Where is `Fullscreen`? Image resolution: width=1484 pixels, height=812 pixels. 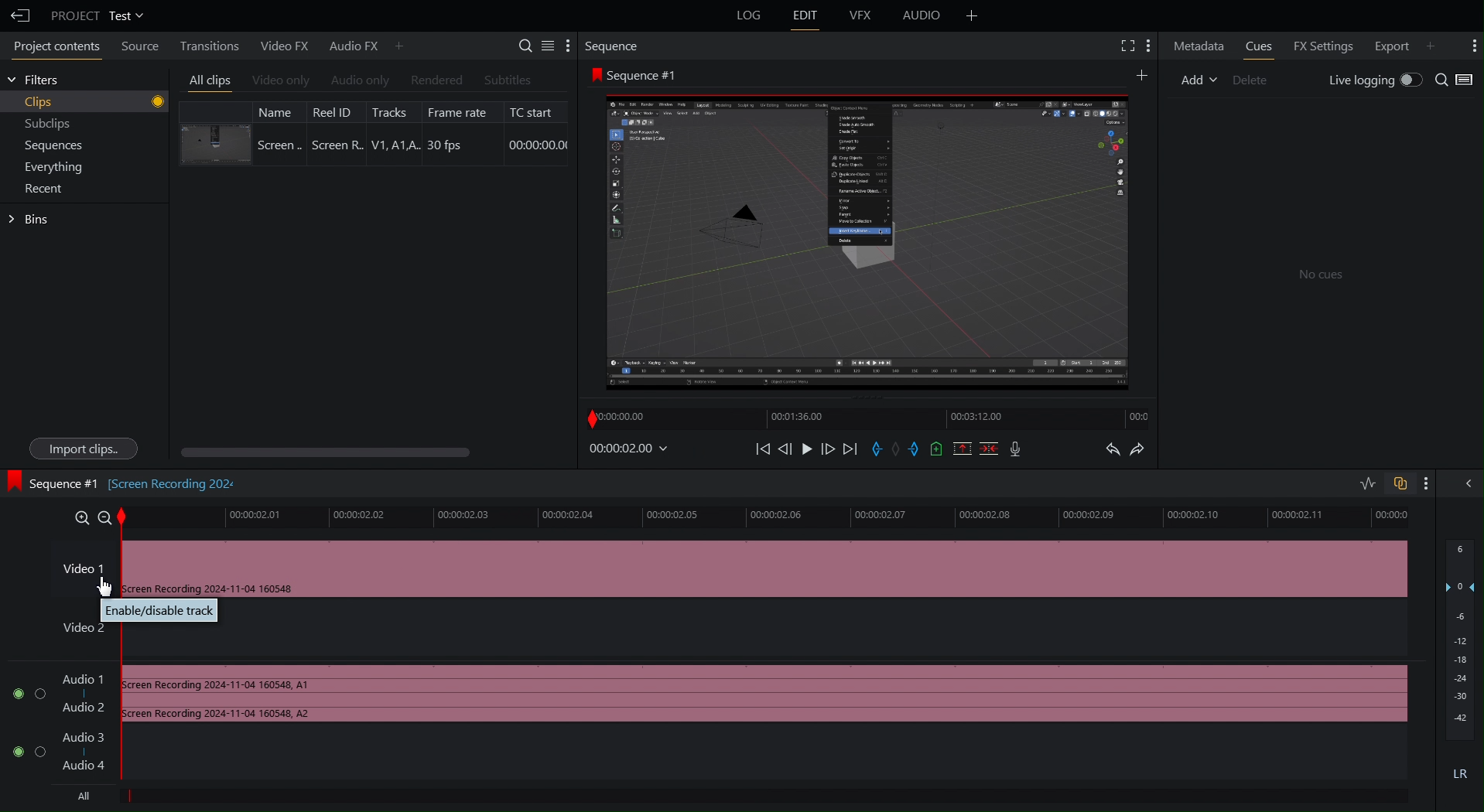 Fullscreen is located at coordinates (1125, 47).